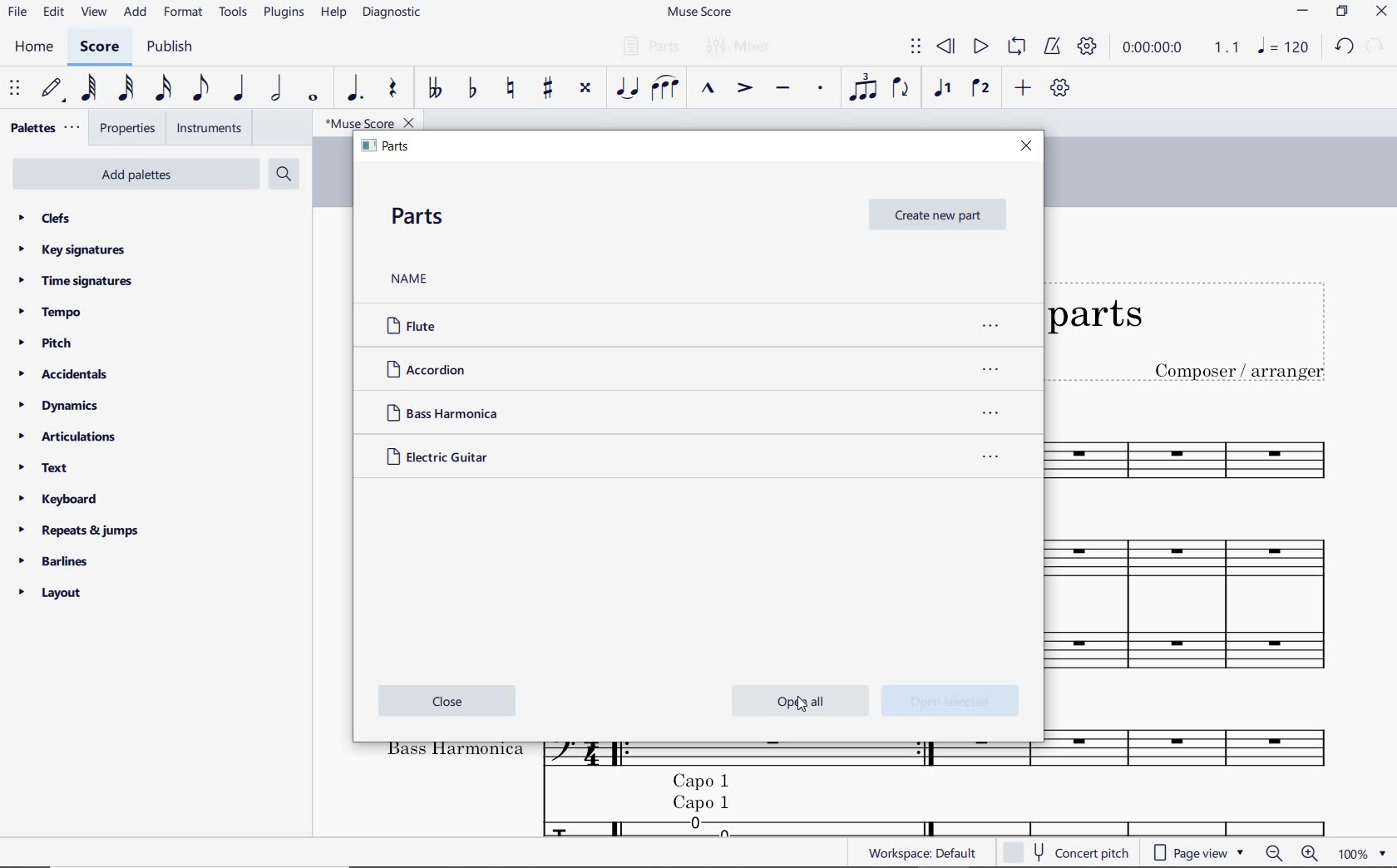 This screenshot has height=868, width=1397. Describe the element at coordinates (916, 48) in the screenshot. I see `select to move` at that location.